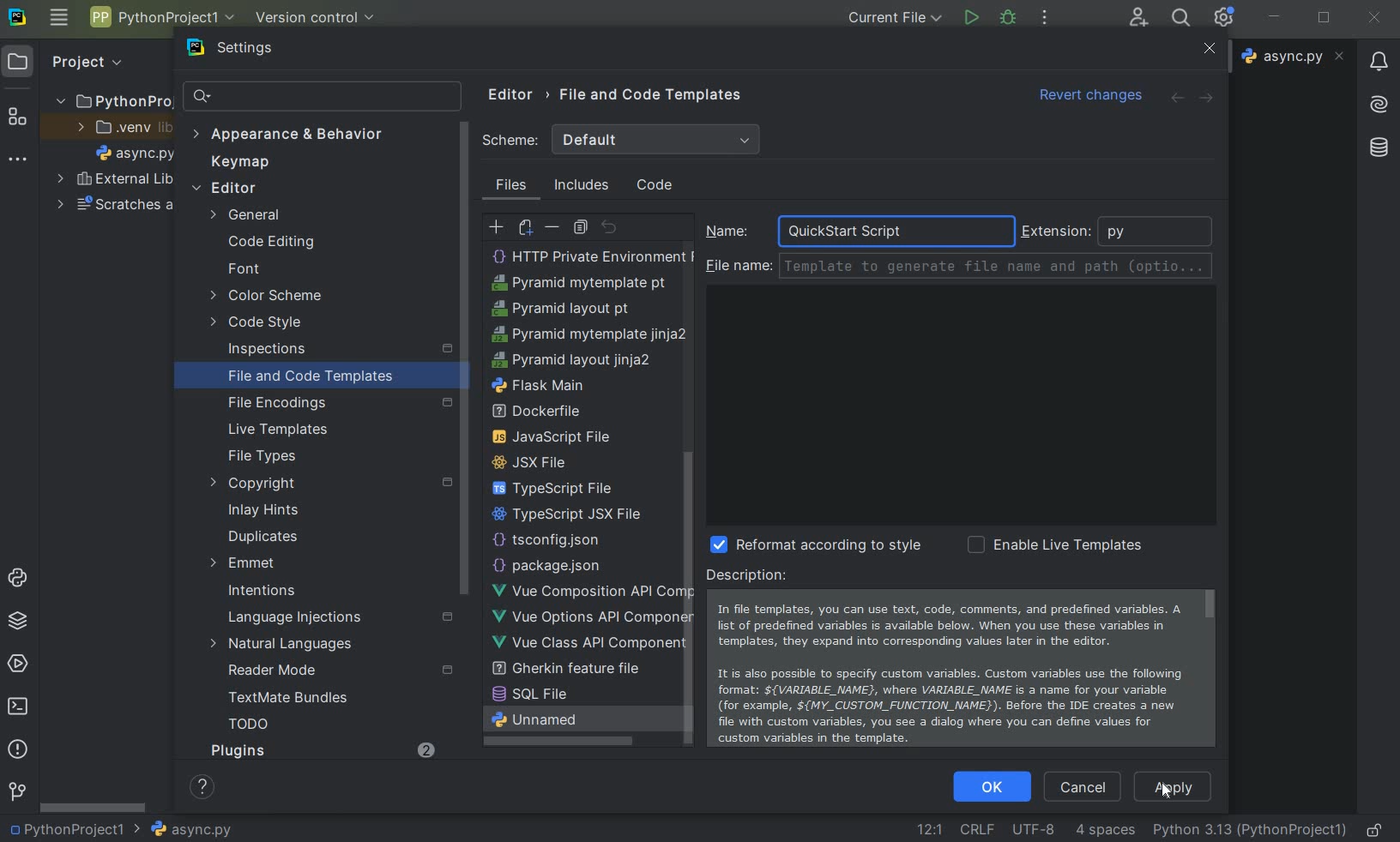 This screenshot has width=1400, height=842. Describe the element at coordinates (18, 789) in the screenshot. I see `version control` at that location.